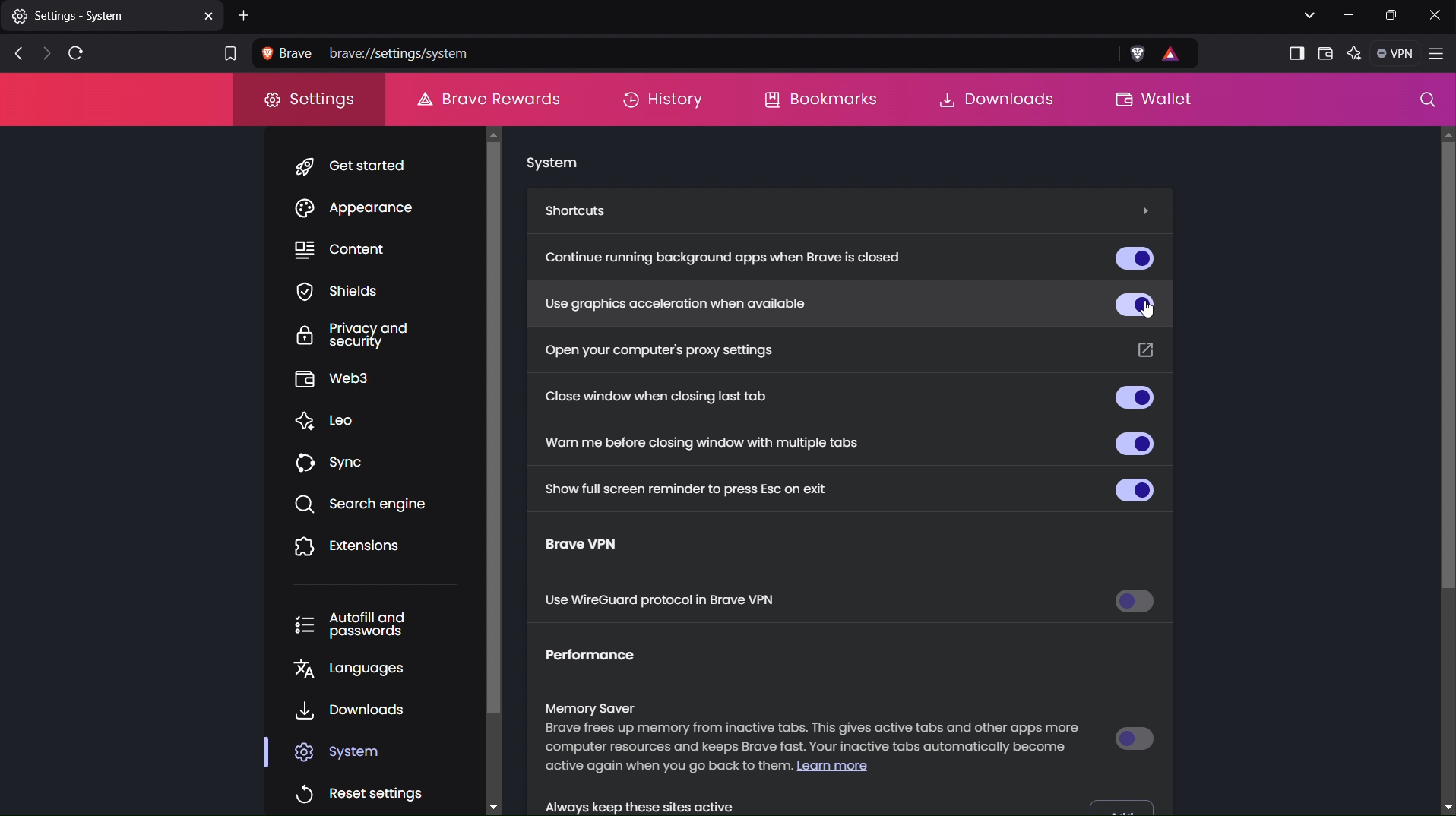  I want to click on New Tab, so click(112, 15).